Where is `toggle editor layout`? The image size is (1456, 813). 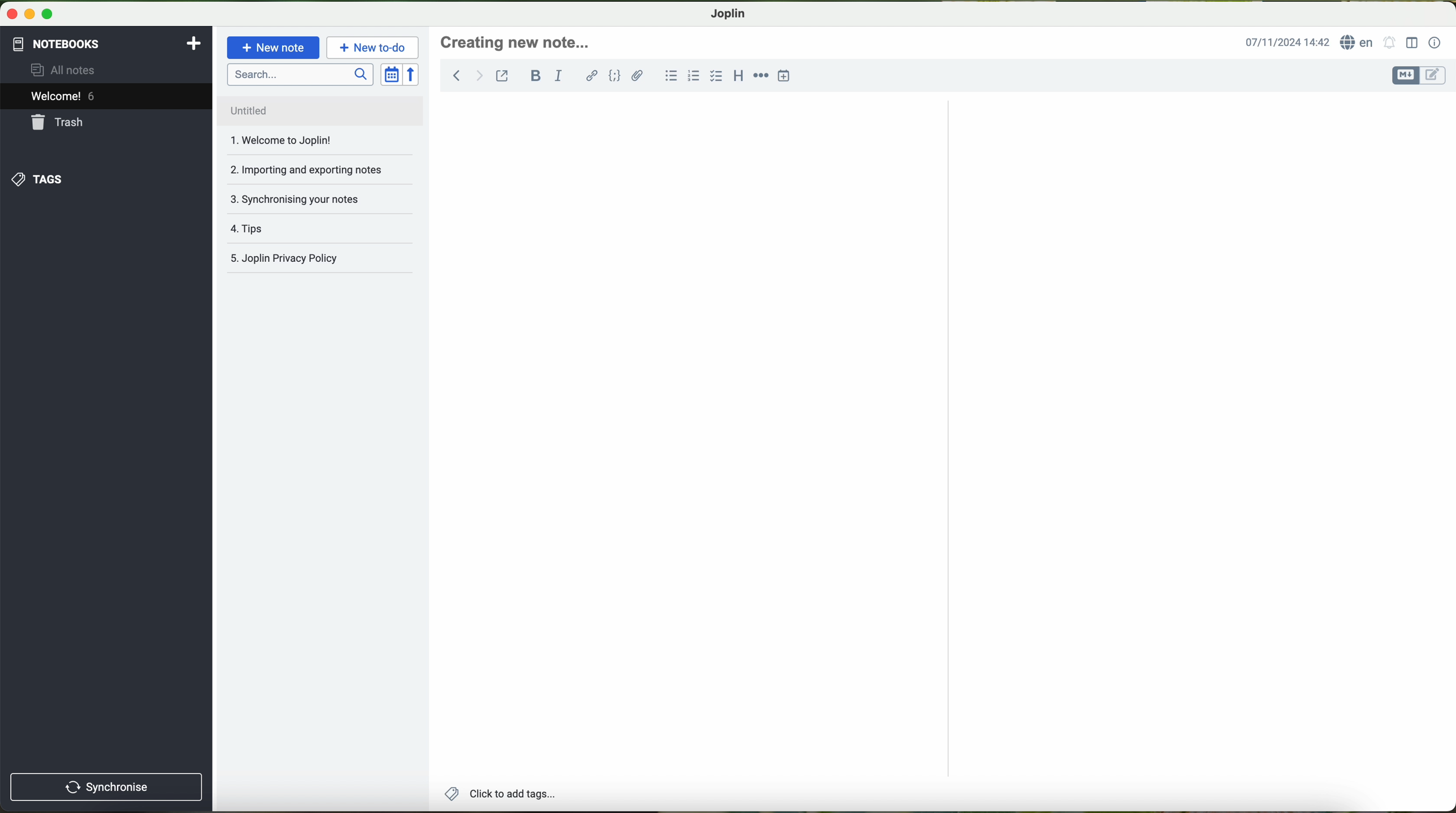
toggle editor layout is located at coordinates (1411, 43).